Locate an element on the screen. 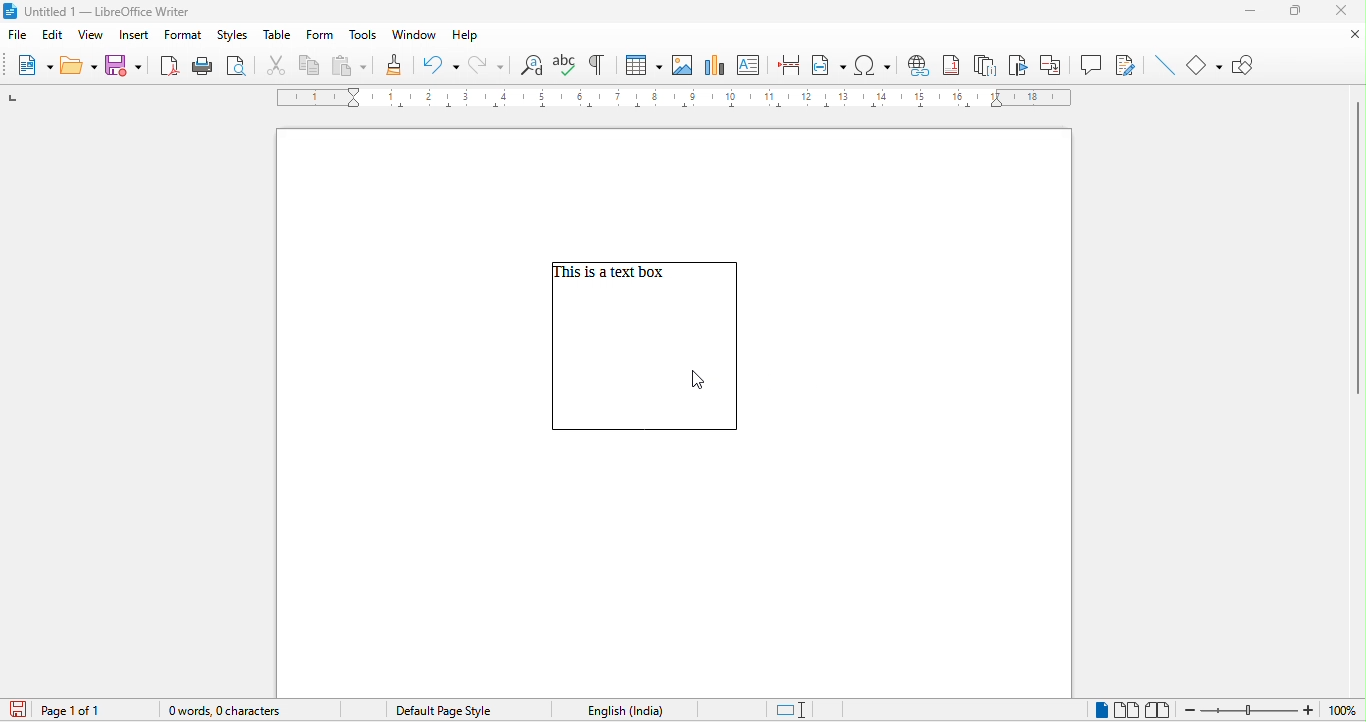 The width and height of the screenshot is (1366, 722). table is located at coordinates (643, 65).